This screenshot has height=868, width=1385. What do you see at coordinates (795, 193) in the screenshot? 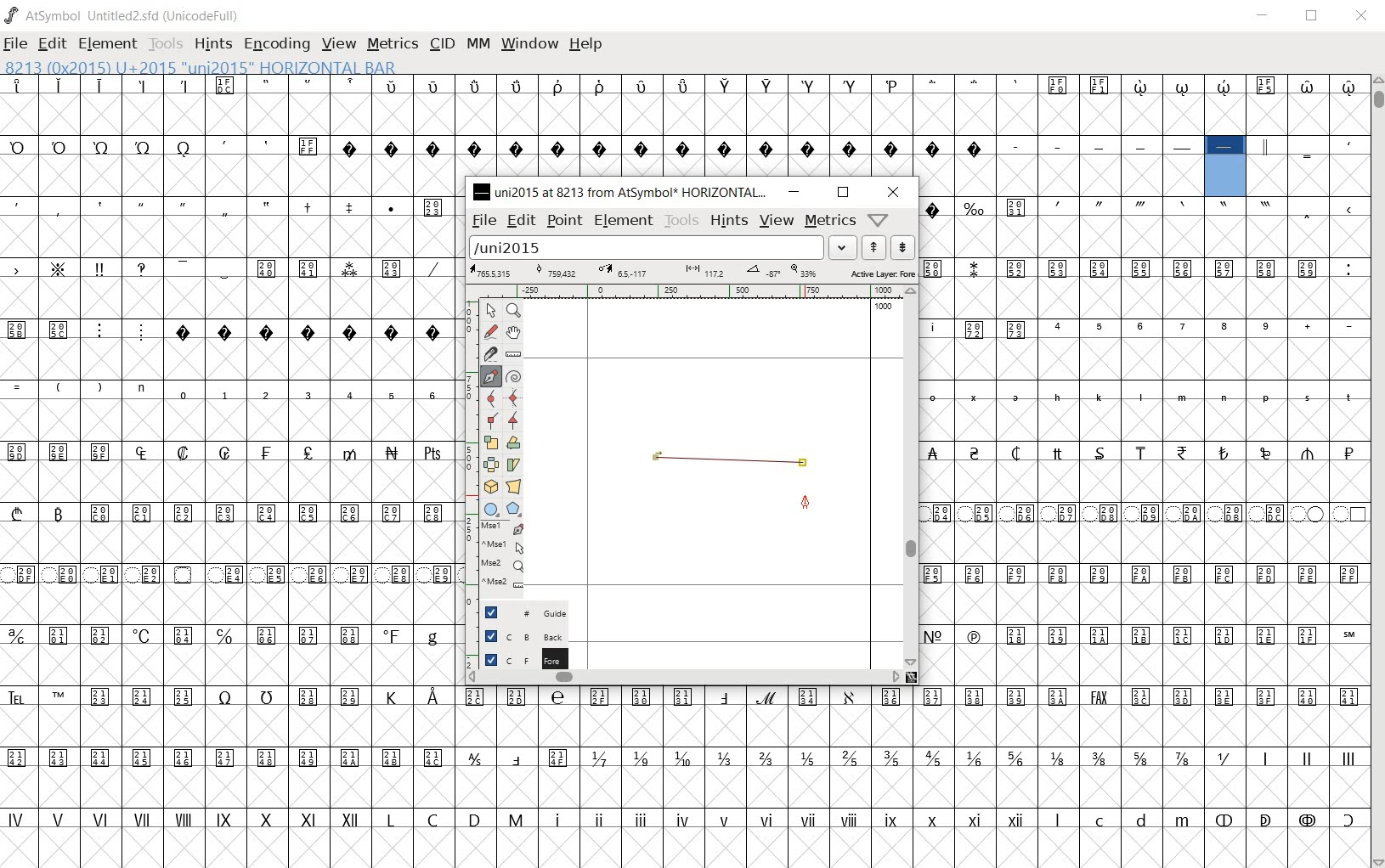
I see `minimize` at bounding box center [795, 193].